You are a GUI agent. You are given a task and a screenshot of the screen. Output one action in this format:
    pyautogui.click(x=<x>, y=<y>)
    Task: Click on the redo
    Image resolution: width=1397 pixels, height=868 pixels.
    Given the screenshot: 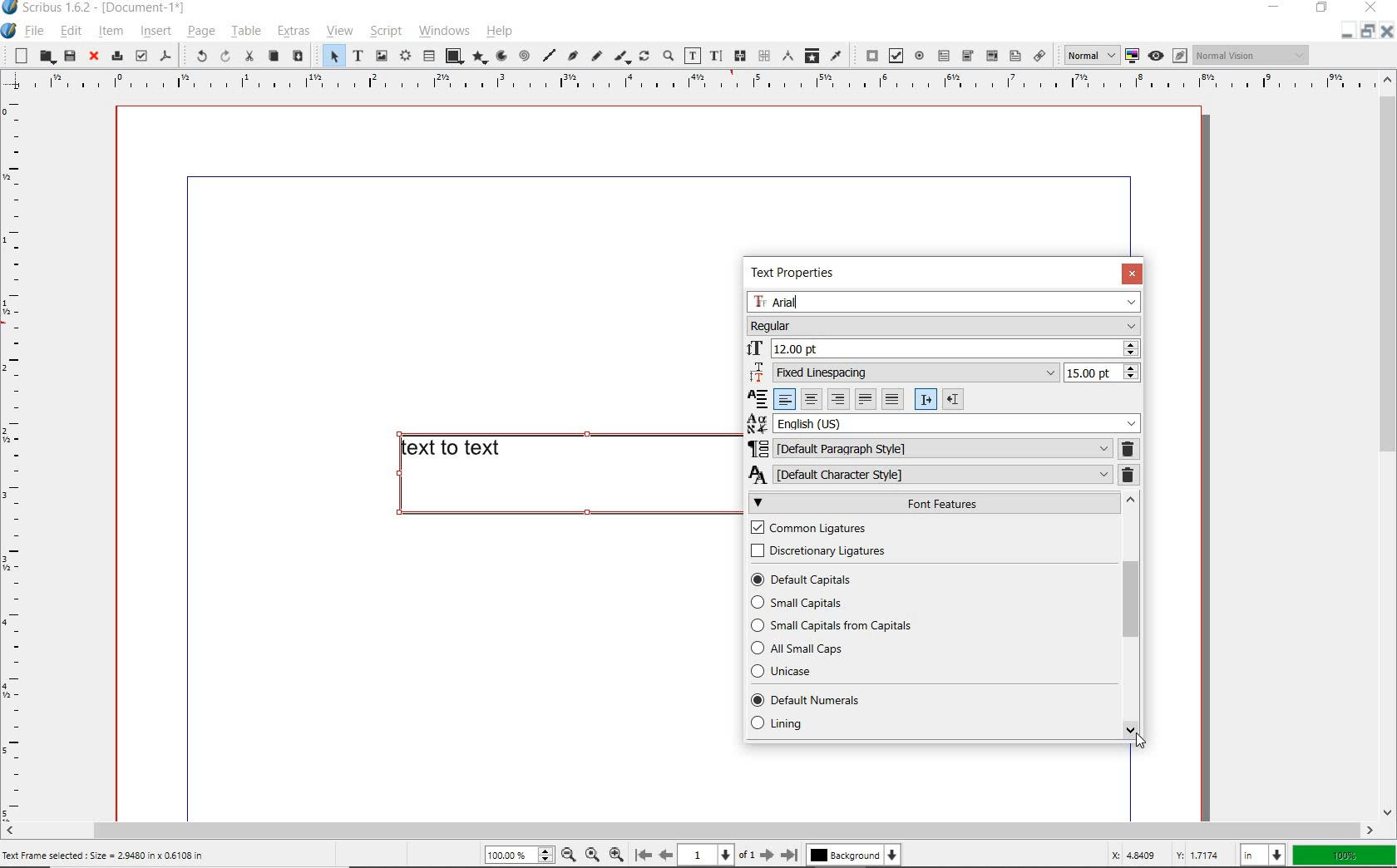 What is the action you would take?
    pyautogui.click(x=224, y=56)
    